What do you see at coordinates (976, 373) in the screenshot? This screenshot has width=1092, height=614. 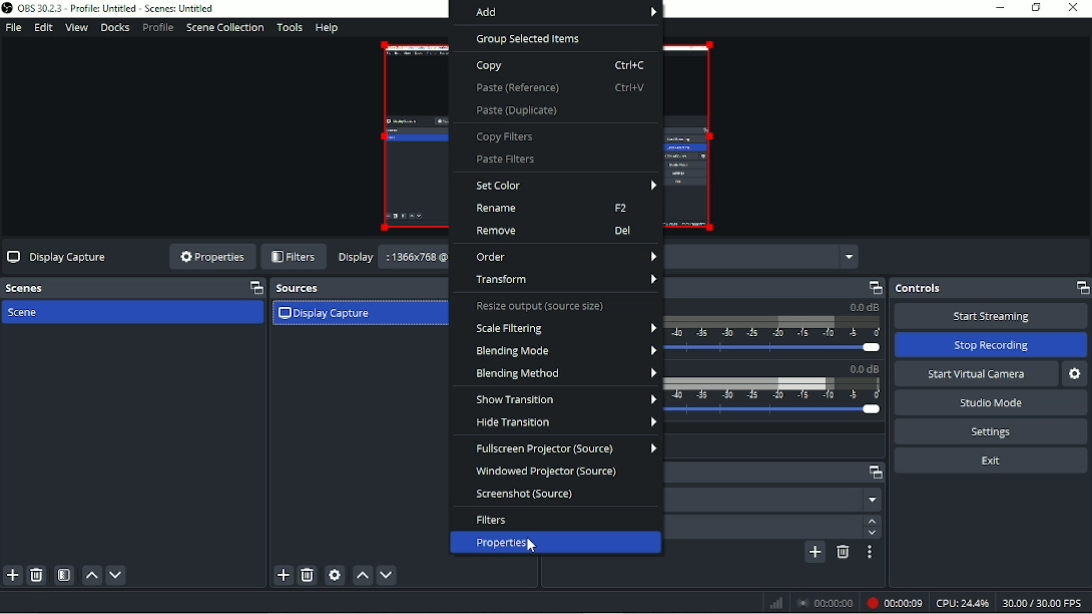 I see `Start virtual camera` at bounding box center [976, 373].